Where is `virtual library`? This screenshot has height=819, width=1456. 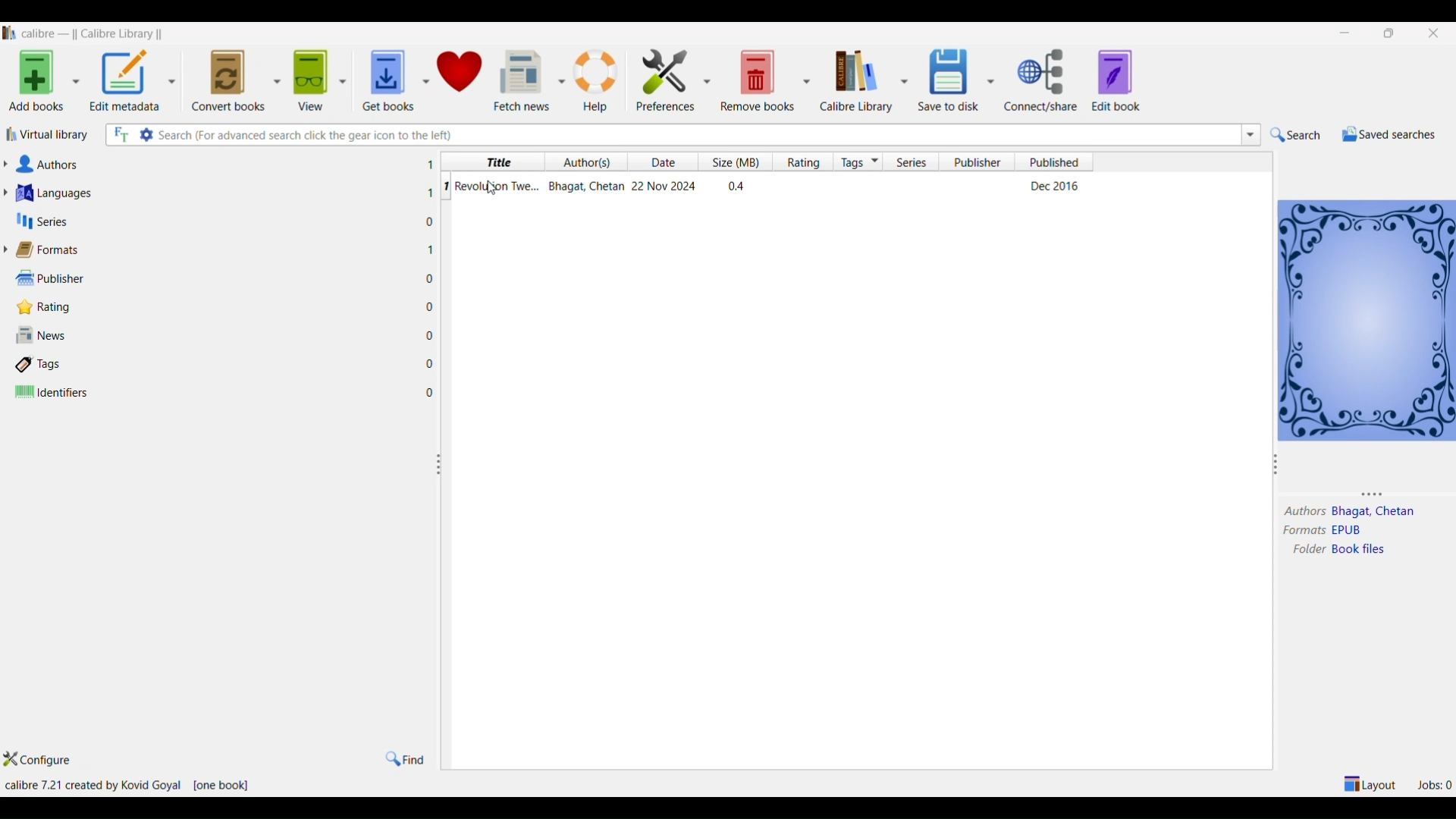
virtual library is located at coordinates (49, 137).